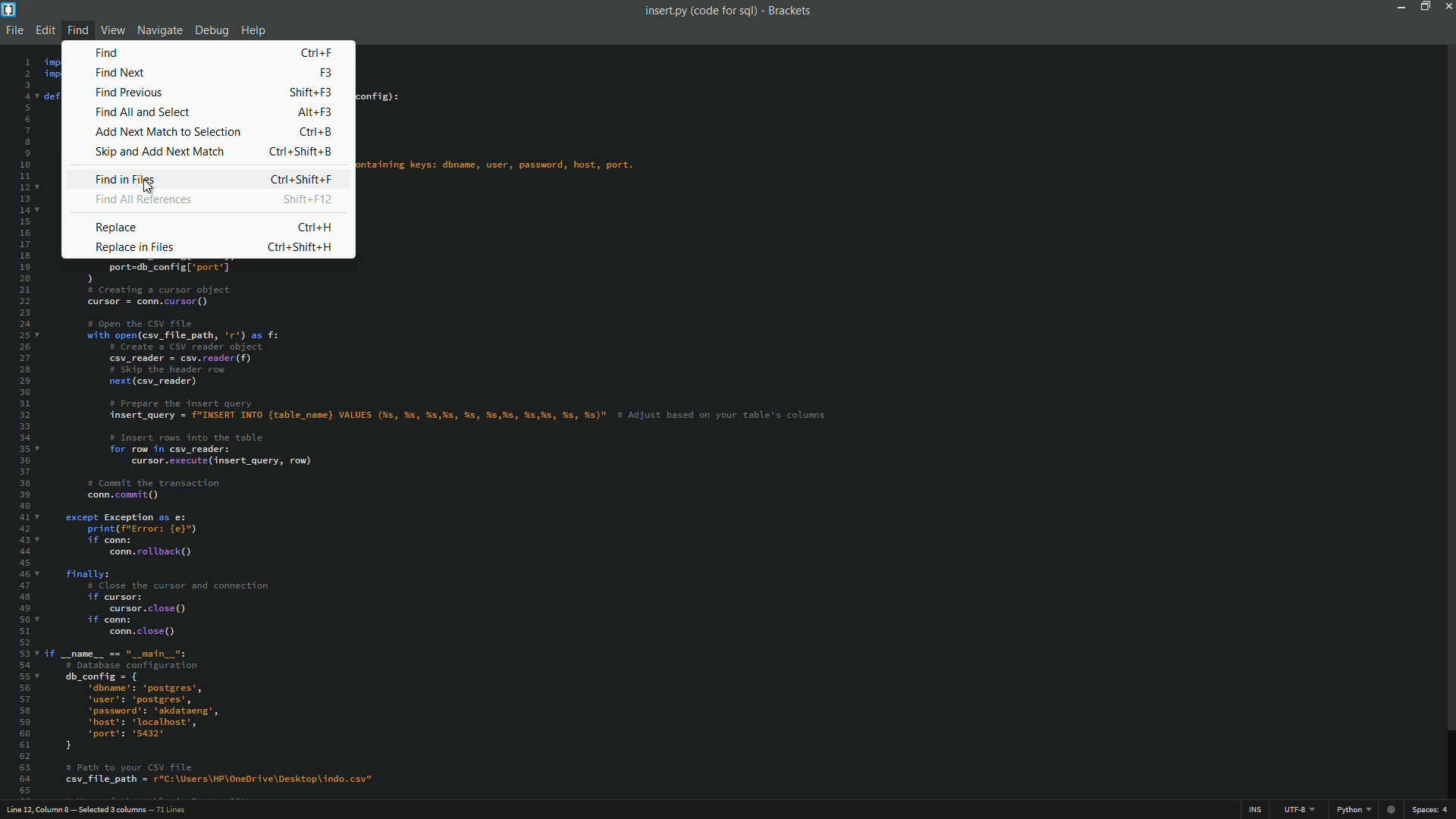 The height and width of the screenshot is (819, 1456). What do you see at coordinates (143, 111) in the screenshot?
I see `find all and select` at bounding box center [143, 111].